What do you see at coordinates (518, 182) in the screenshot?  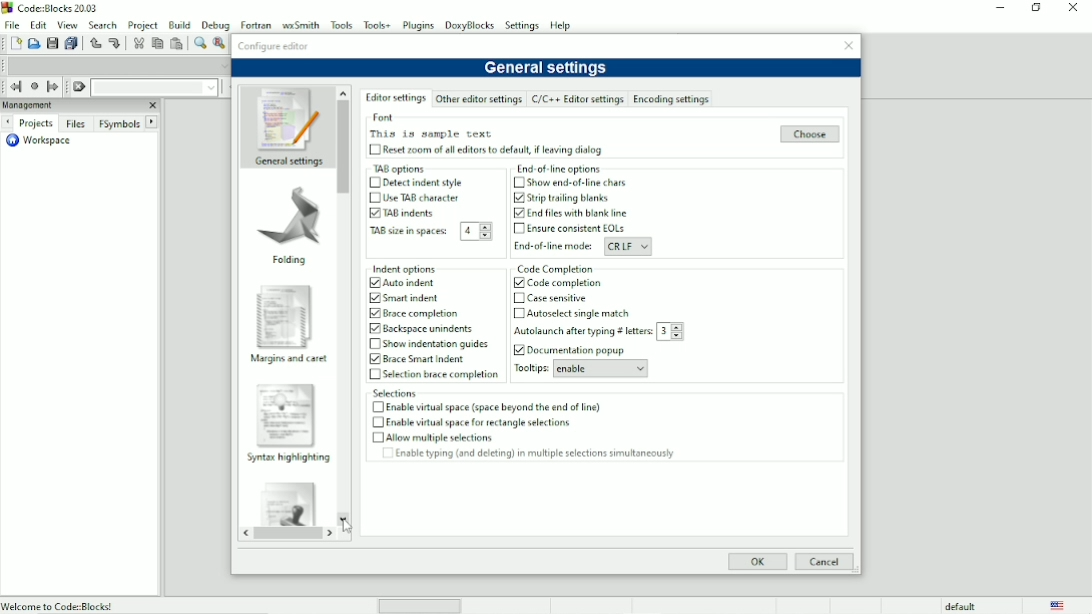 I see `` at bounding box center [518, 182].